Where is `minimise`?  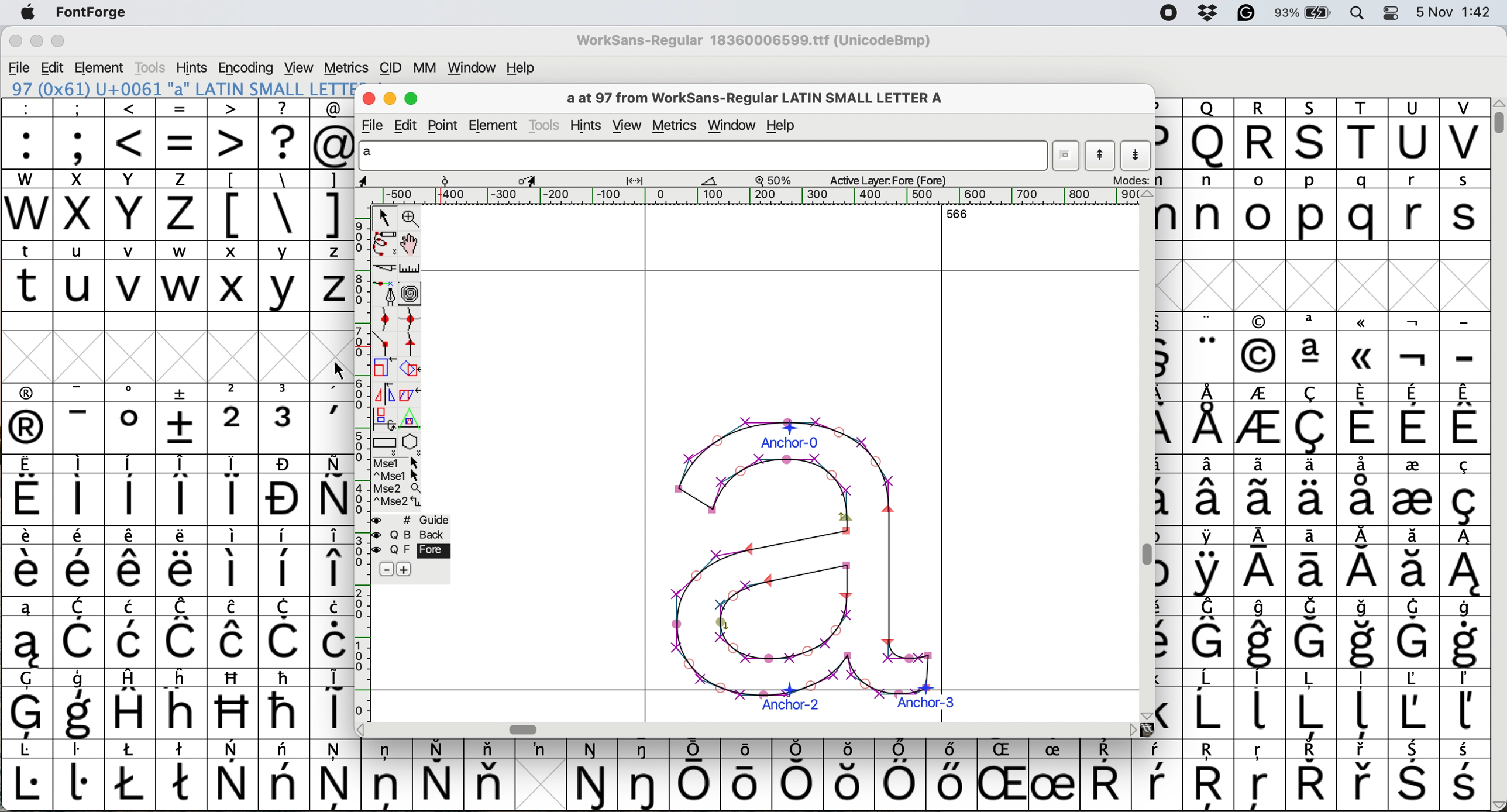
minimise is located at coordinates (35, 42).